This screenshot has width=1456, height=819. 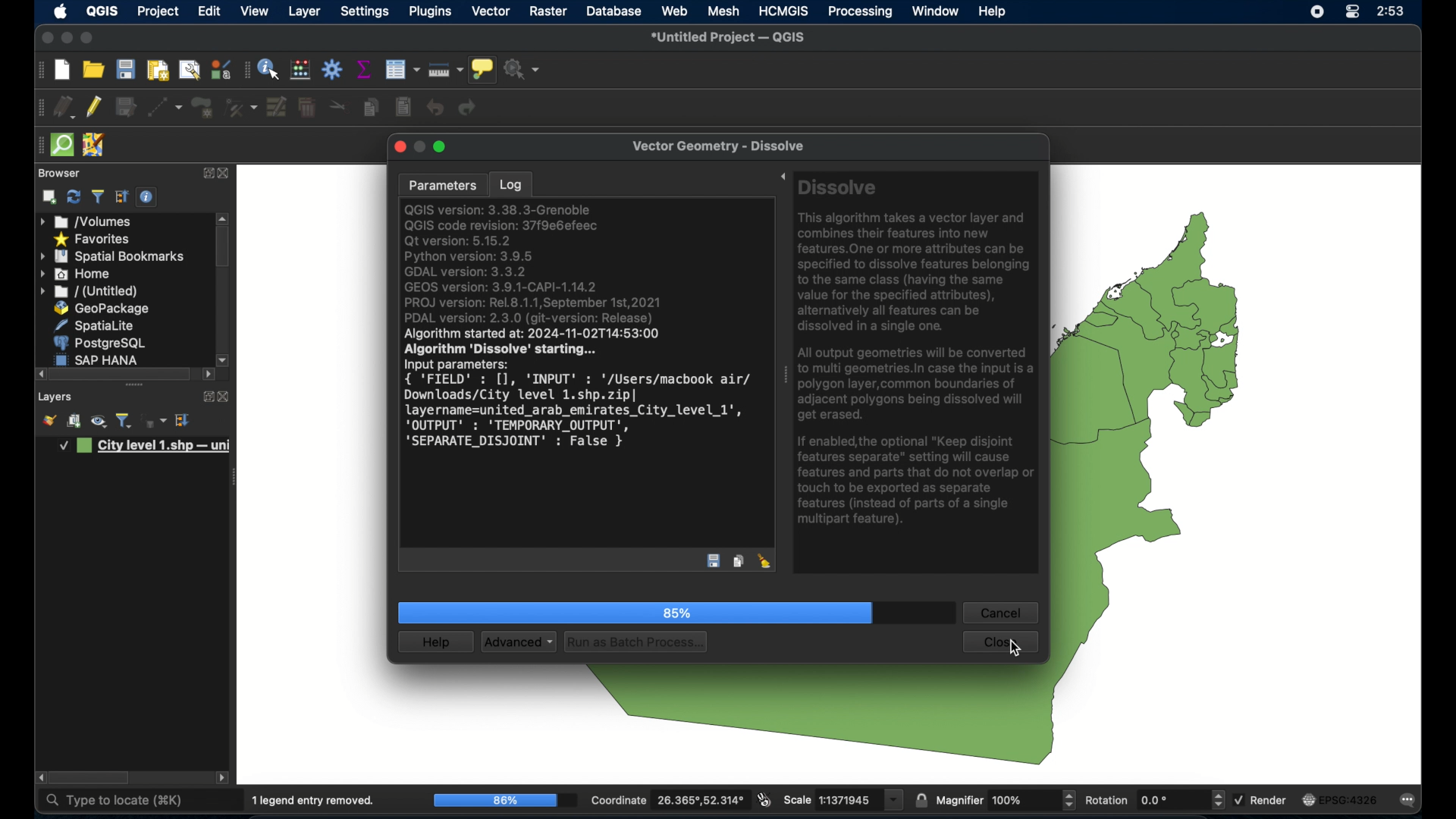 I want to click on expand, so click(x=204, y=395).